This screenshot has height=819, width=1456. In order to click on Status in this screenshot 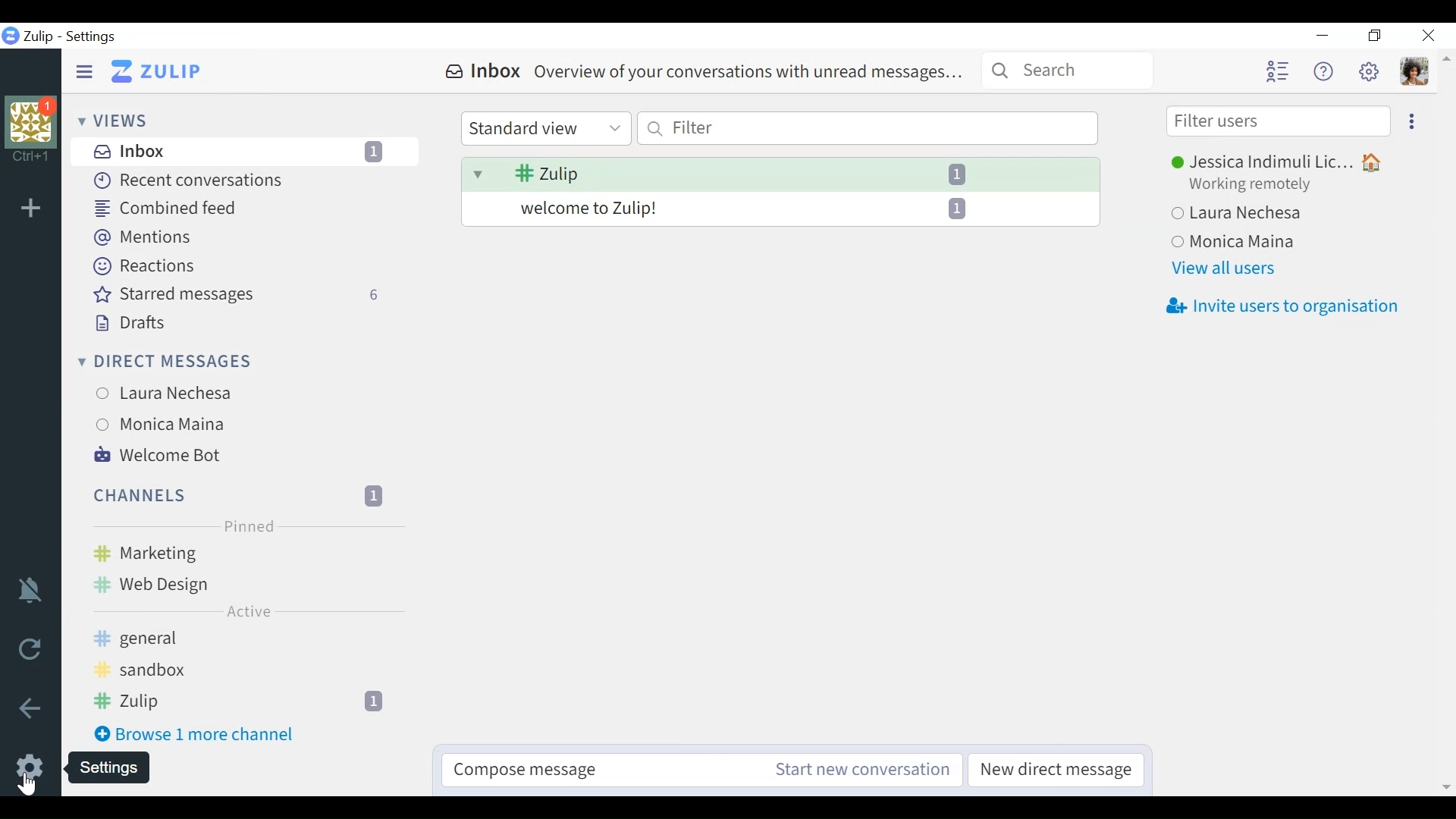, I will do `click(1254, 186)`.